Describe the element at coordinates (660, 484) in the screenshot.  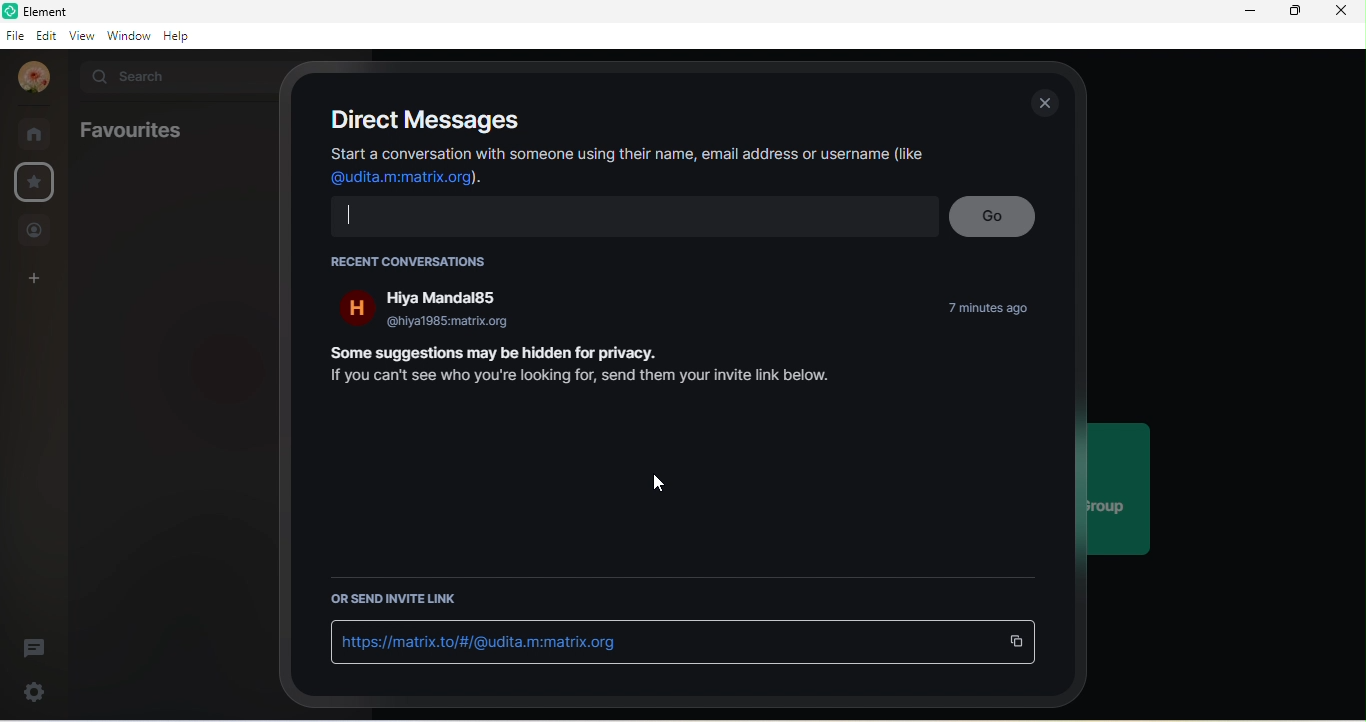
I see `cursor movement` at that location.